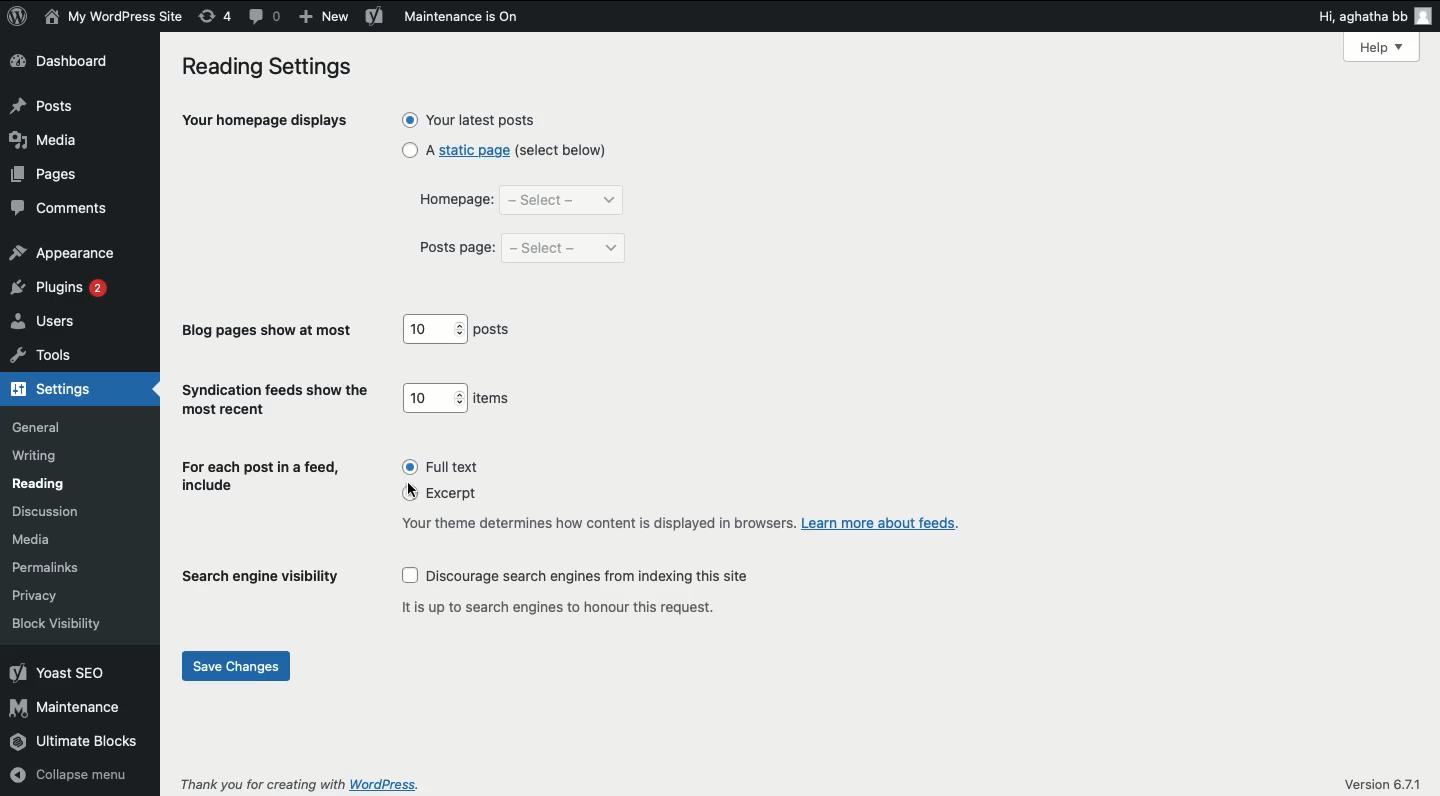 The width and height of the screenshot is (1440, 796). What do you see at coordinates (265, 123) in the screenshot?
I see `your homepage displays` at bounding box center [265, 123].